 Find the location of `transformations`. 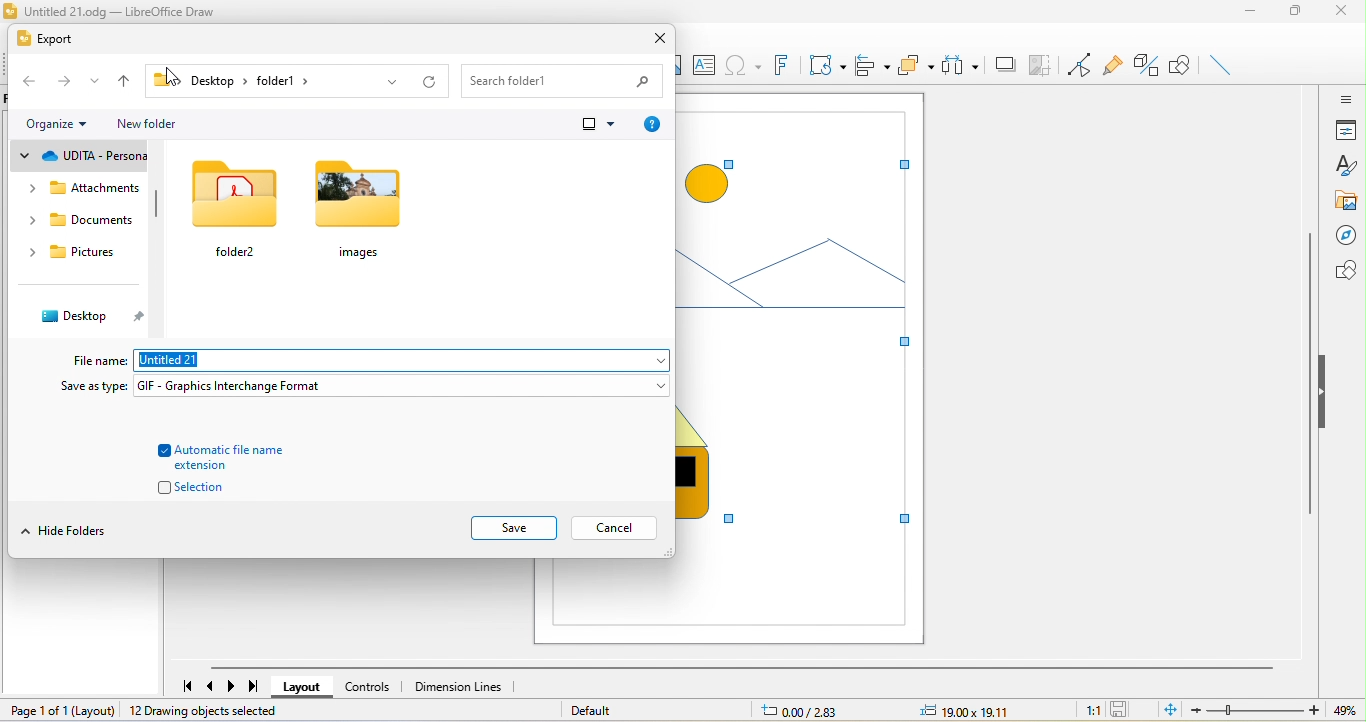

transformations is located at coordinates (826, 66).